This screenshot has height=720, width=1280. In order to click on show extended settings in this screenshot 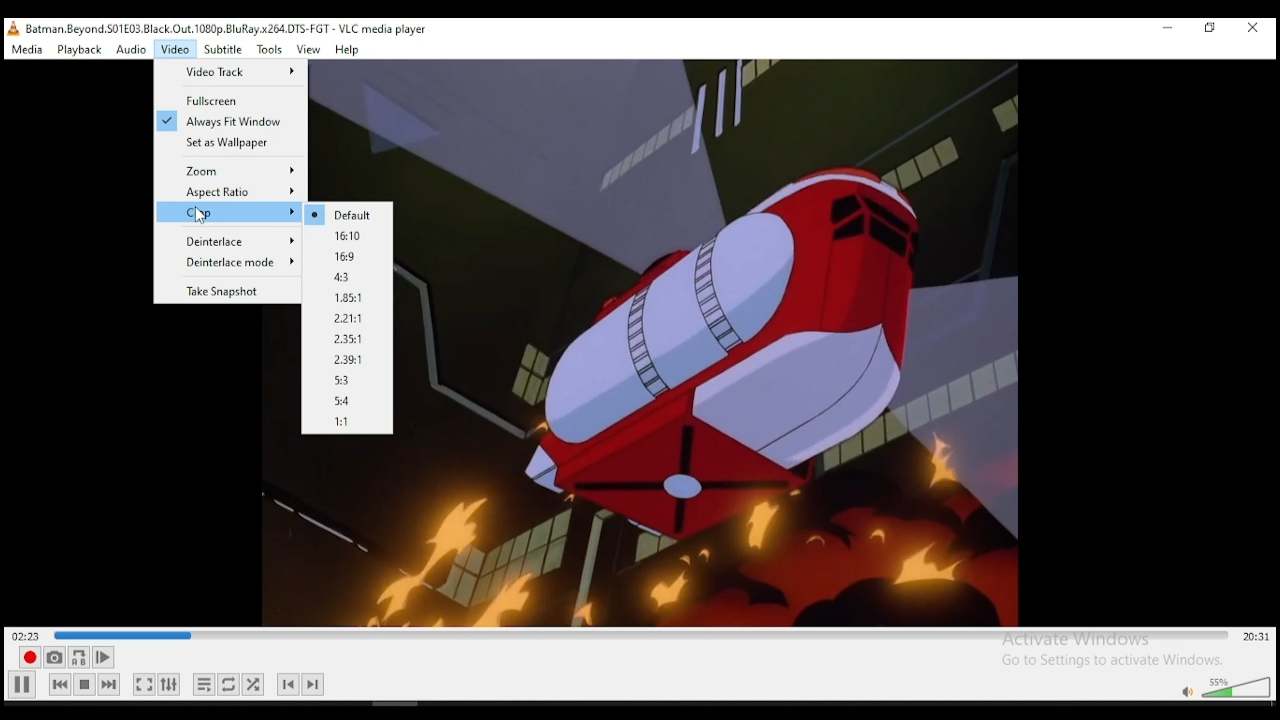, I will do `click(169, 684)`.